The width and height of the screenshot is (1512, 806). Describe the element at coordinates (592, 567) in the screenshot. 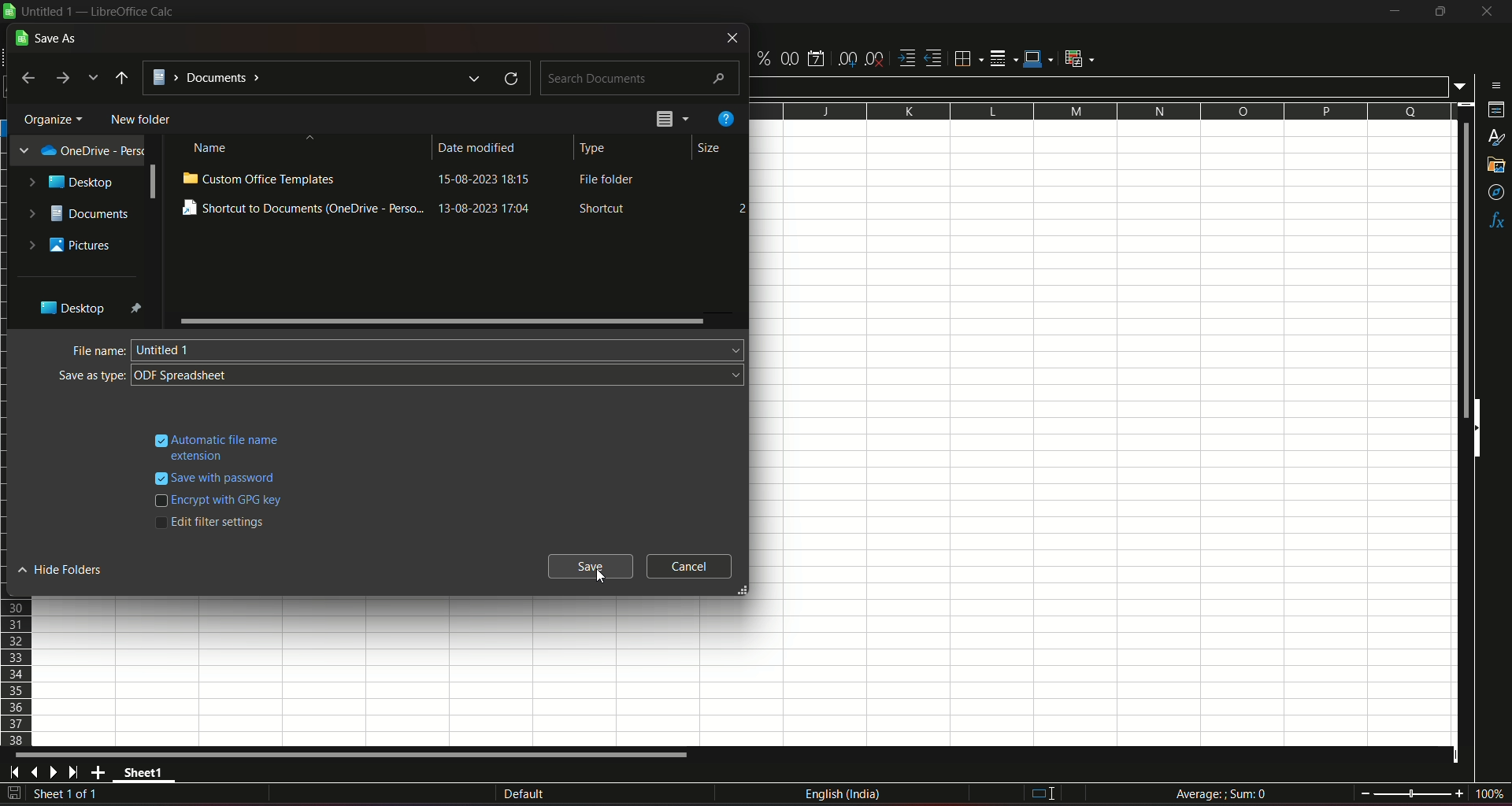

I see `save` at that location.